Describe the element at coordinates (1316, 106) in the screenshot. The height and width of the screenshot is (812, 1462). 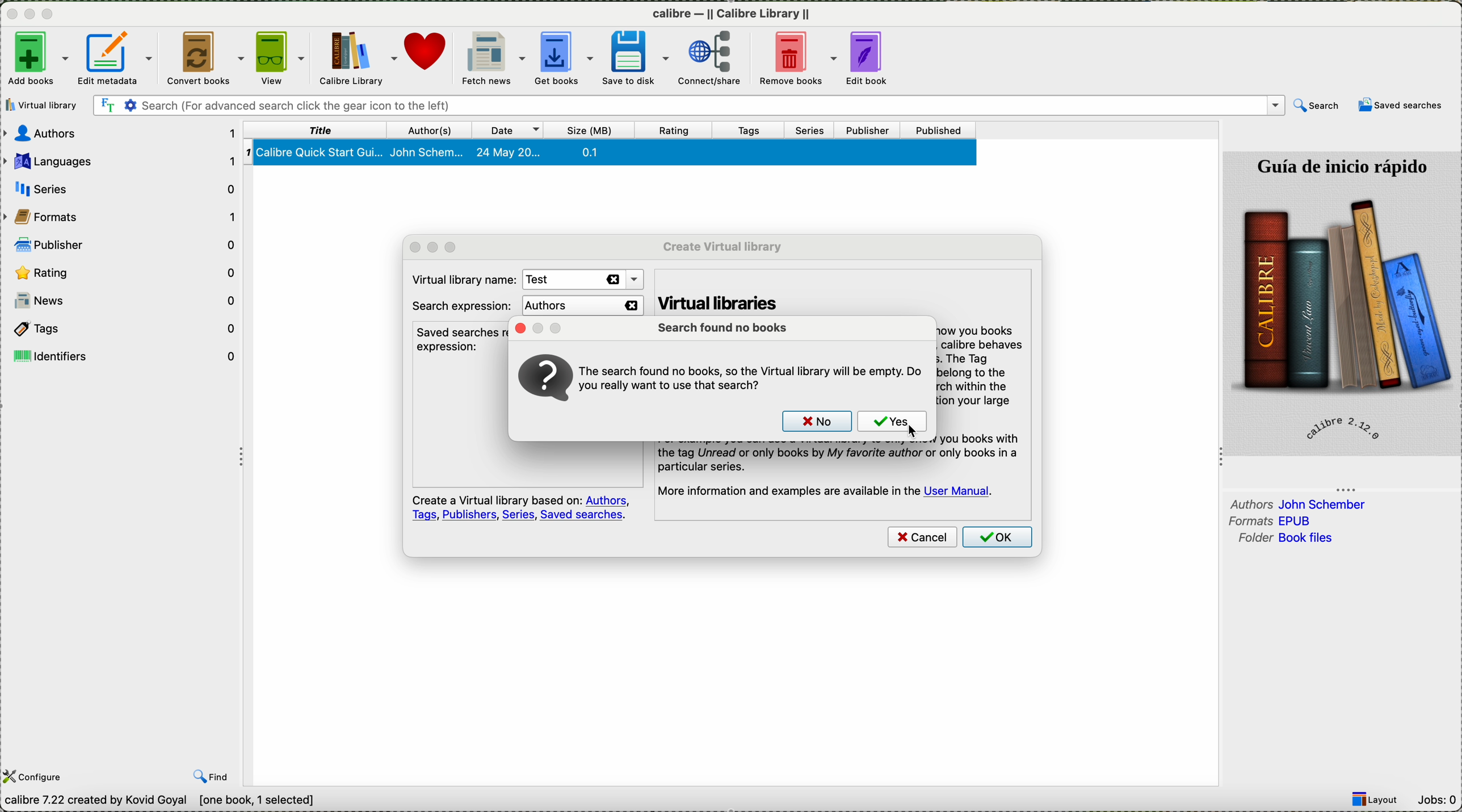
I see `search` at that location.